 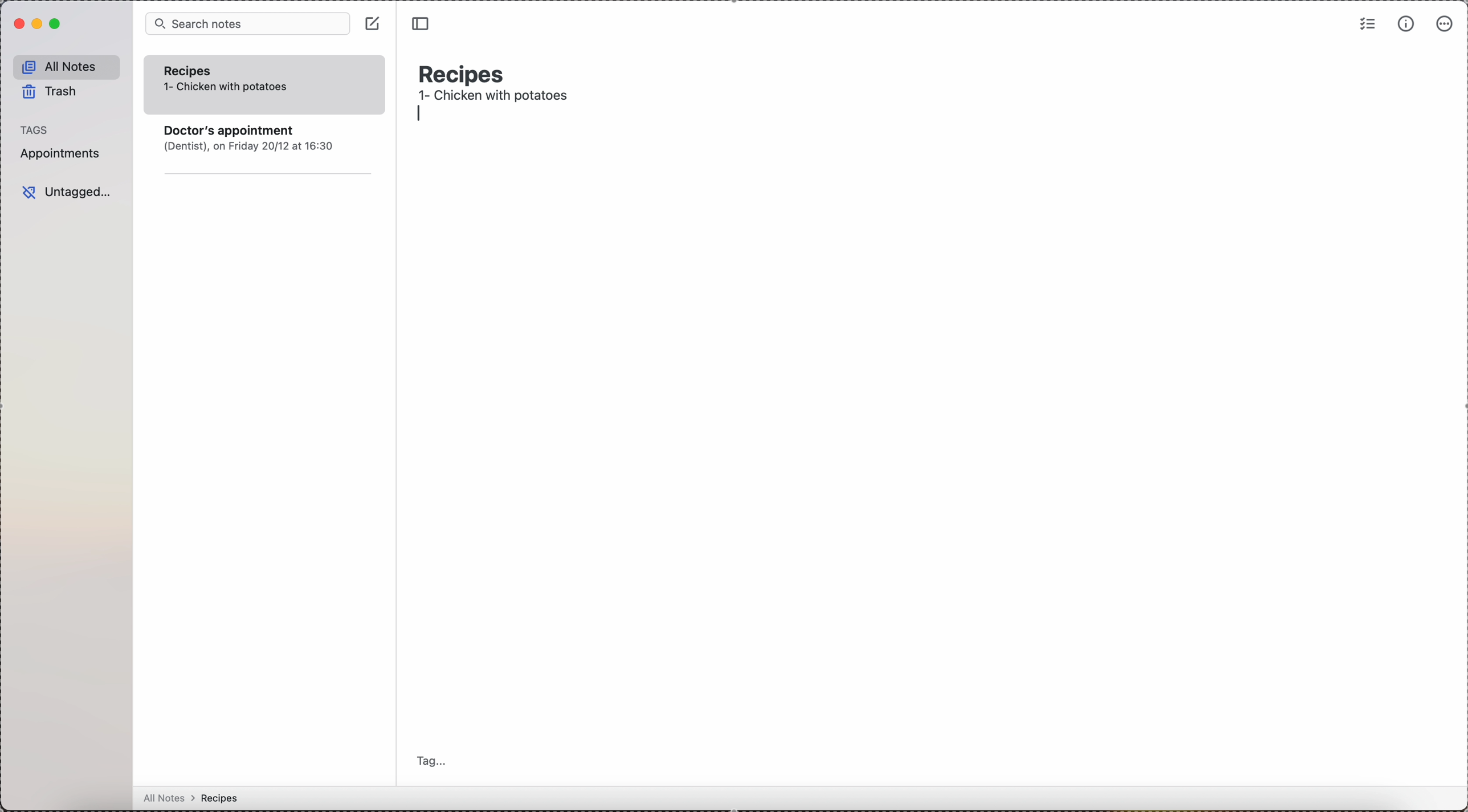 What do you see at coordinates (56, 91) in the screenshot?
I see `trash` at bounding box center [56, 91].